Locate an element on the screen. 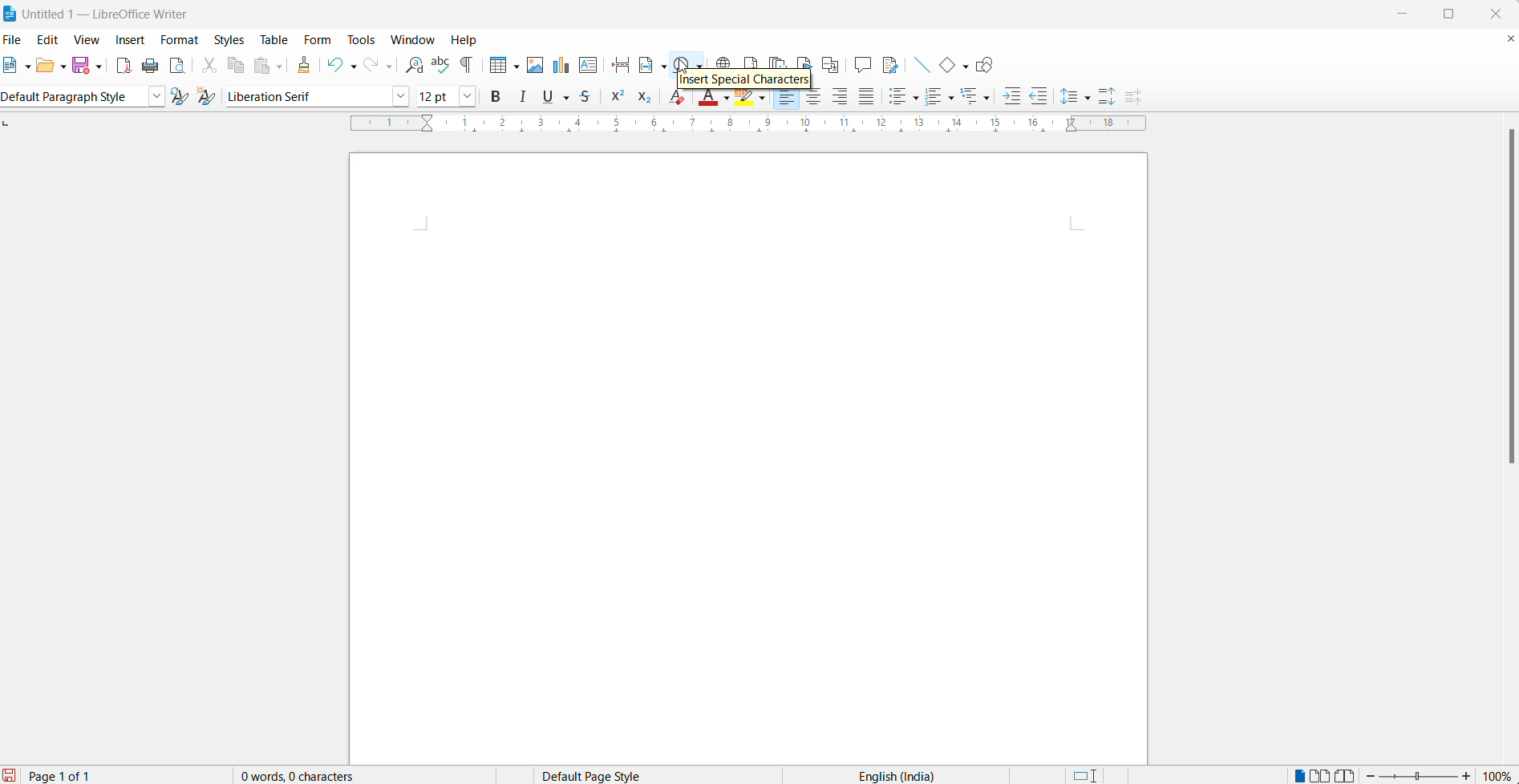 The height and width of the screenshot is (784, 1519). font name is located at coordinates (304, 95).